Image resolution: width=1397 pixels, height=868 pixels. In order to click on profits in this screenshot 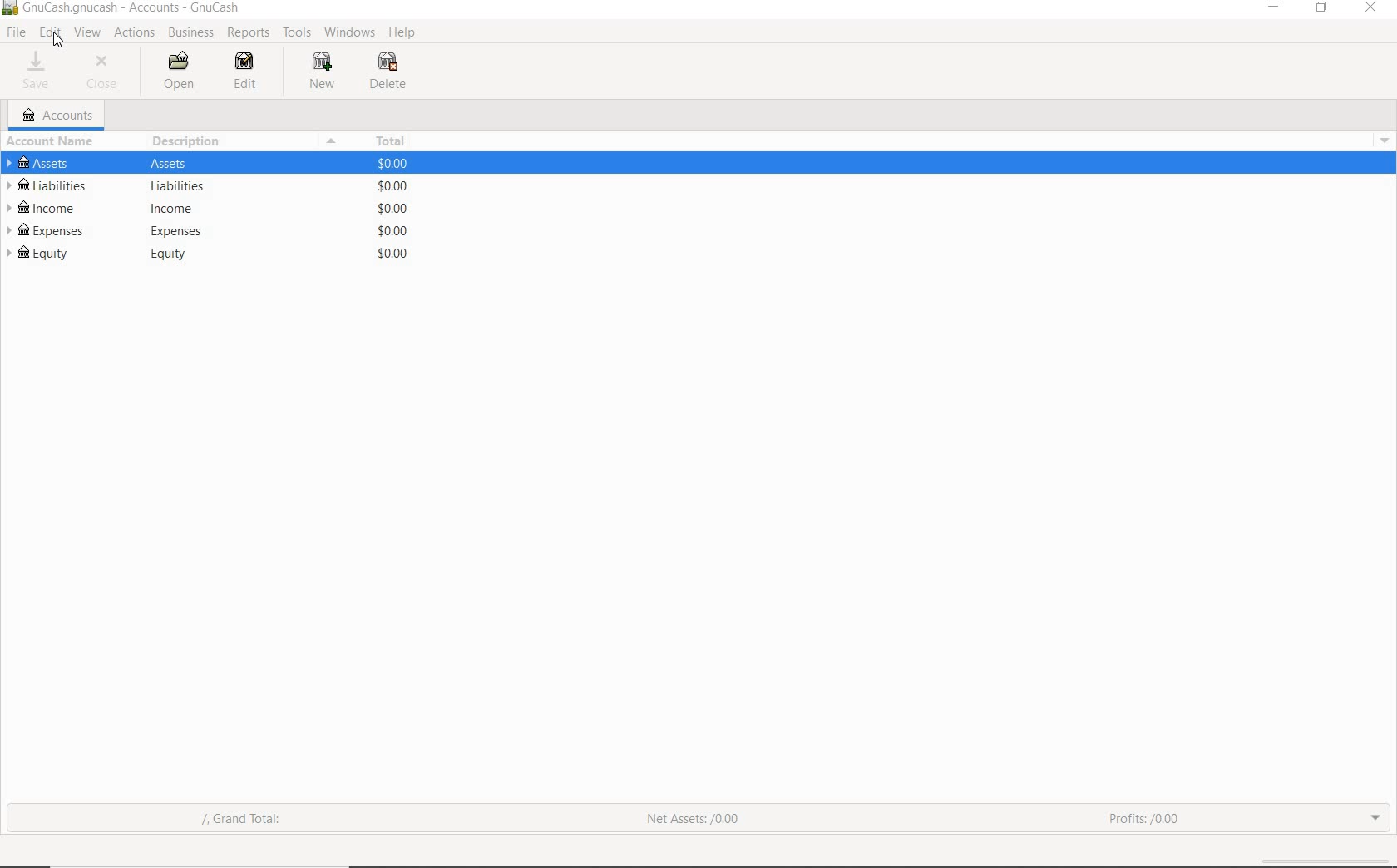, I will do `click(1146, 814)`.